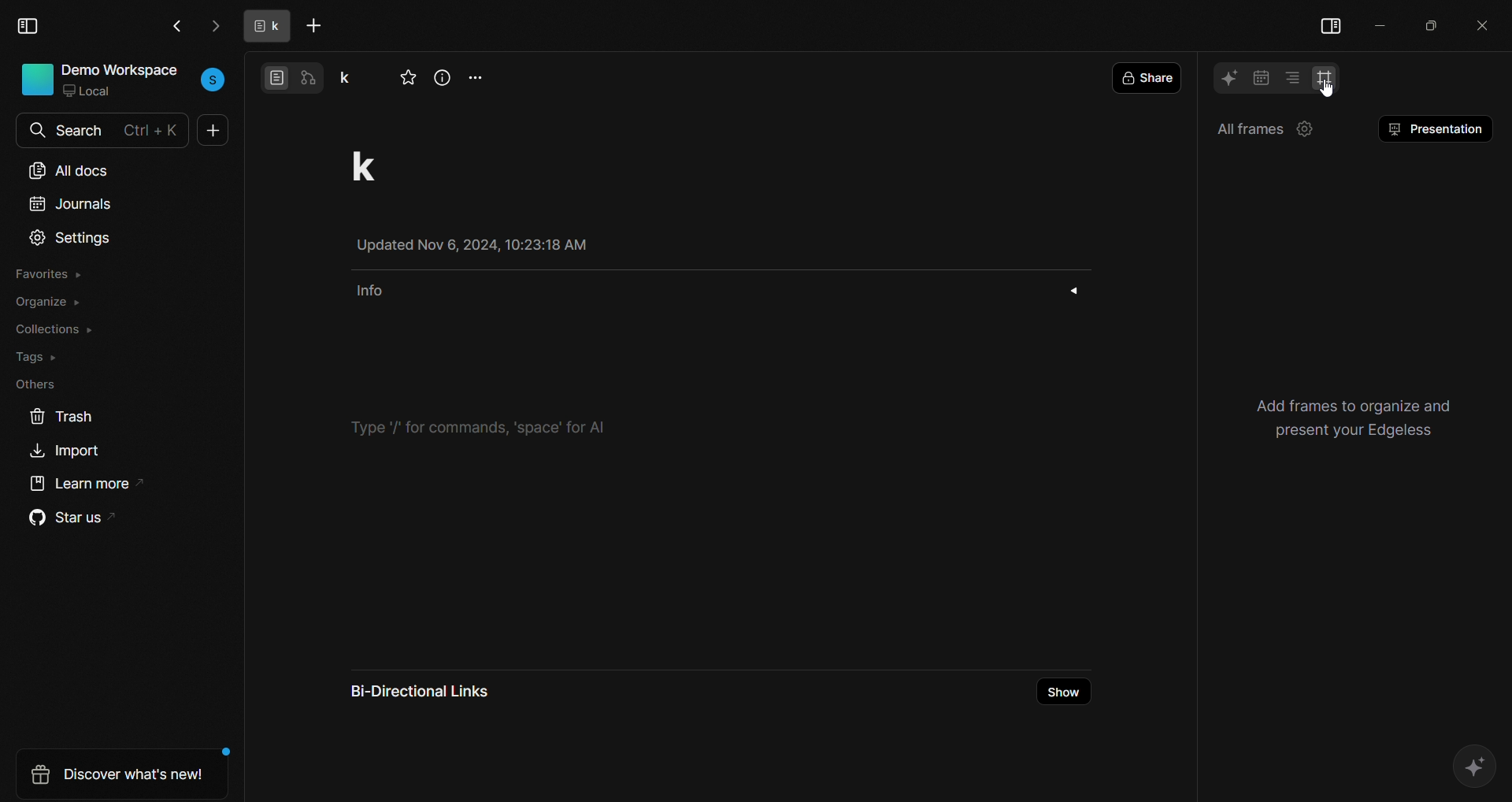 The image size is (1512, 802). What do you see at coordinates (69, 207) in the screenshot?
I see `journals` at bounding box center [69, 207].